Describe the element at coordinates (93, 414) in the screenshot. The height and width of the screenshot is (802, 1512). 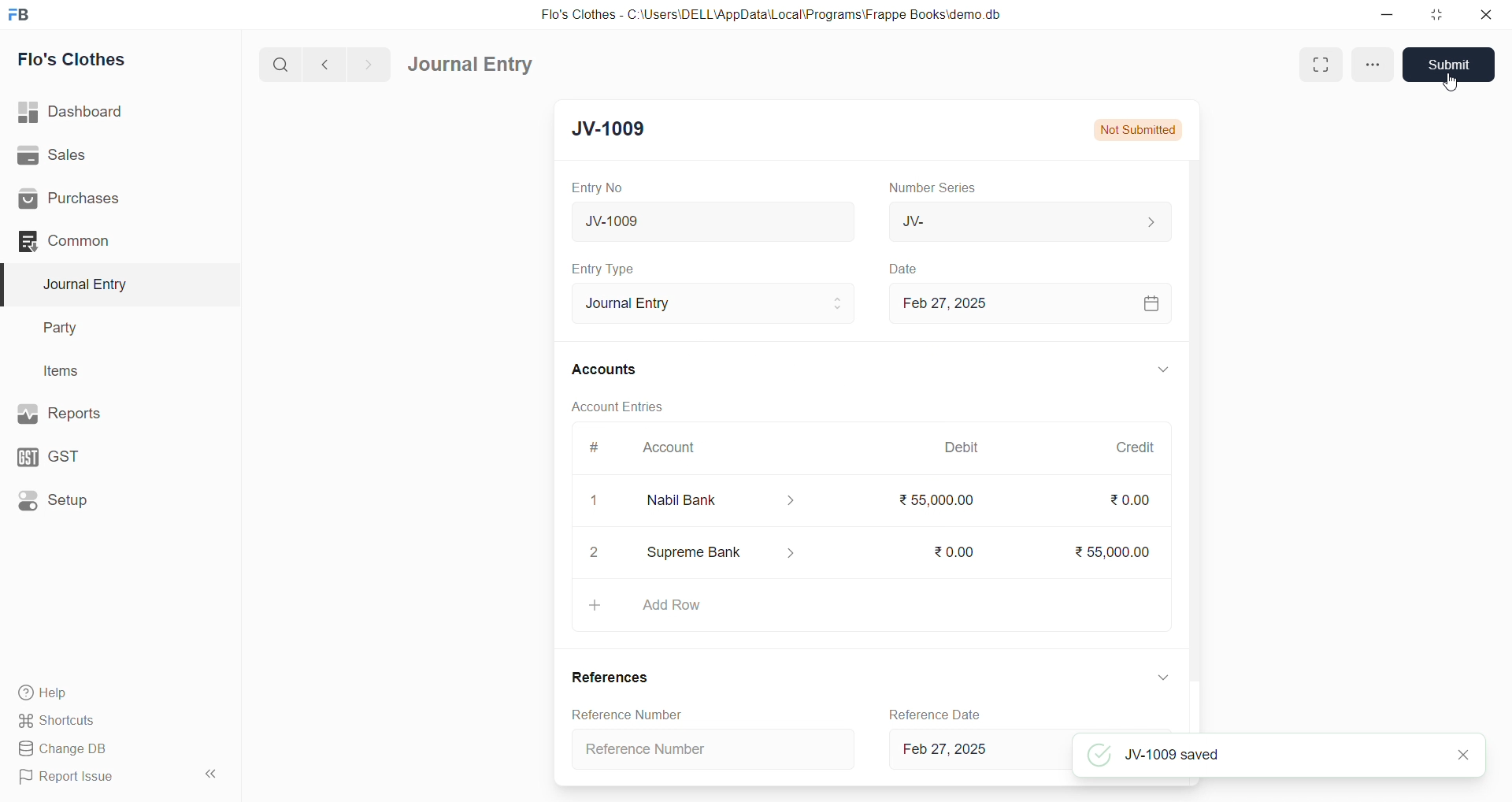
I see `Reports` at that location.